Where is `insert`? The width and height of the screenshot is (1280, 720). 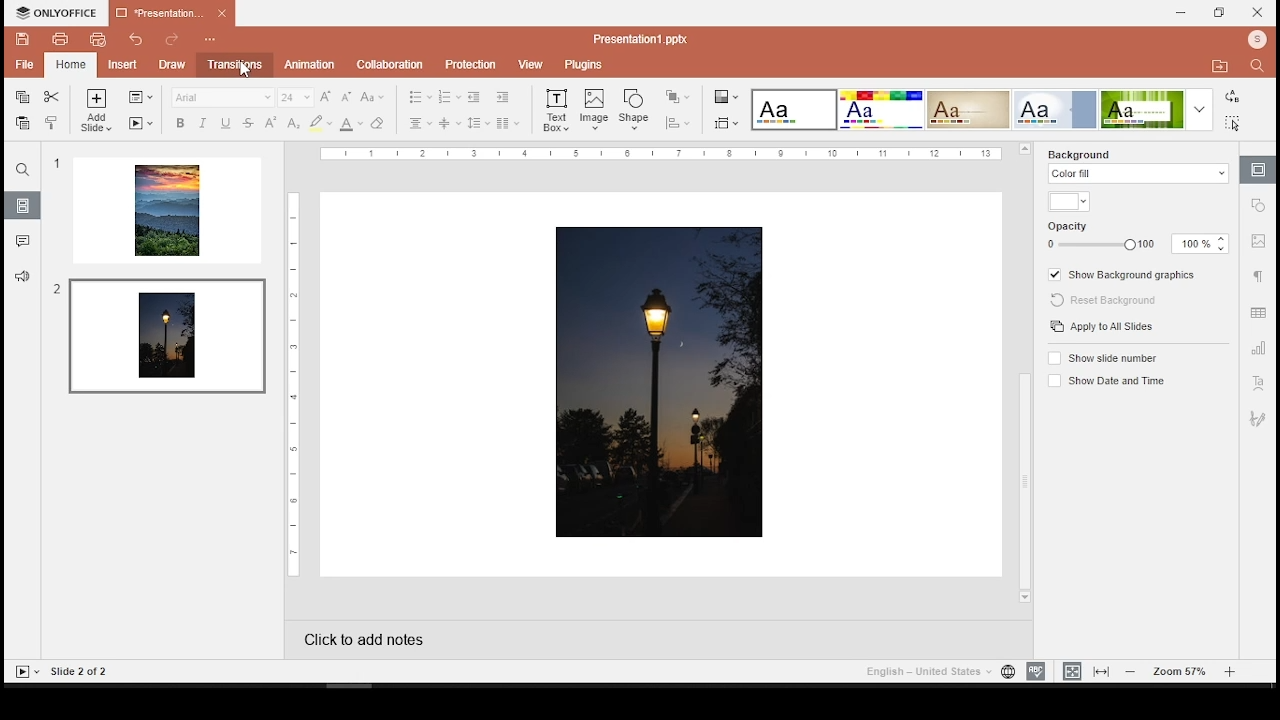 insert is located at coordinates (116, 65).